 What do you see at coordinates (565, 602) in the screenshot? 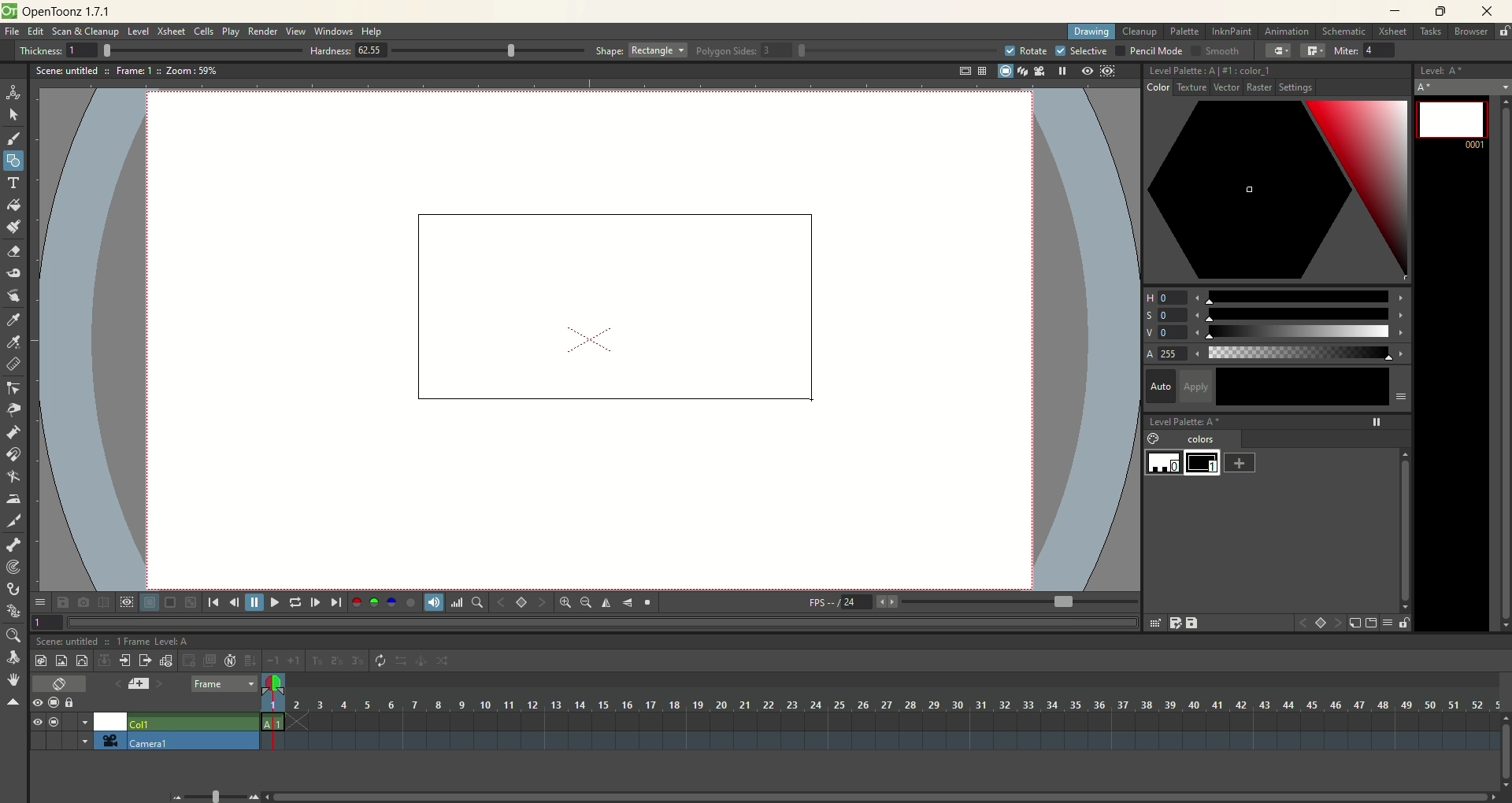
I see `zoom in` at bounding box center [565, 602].